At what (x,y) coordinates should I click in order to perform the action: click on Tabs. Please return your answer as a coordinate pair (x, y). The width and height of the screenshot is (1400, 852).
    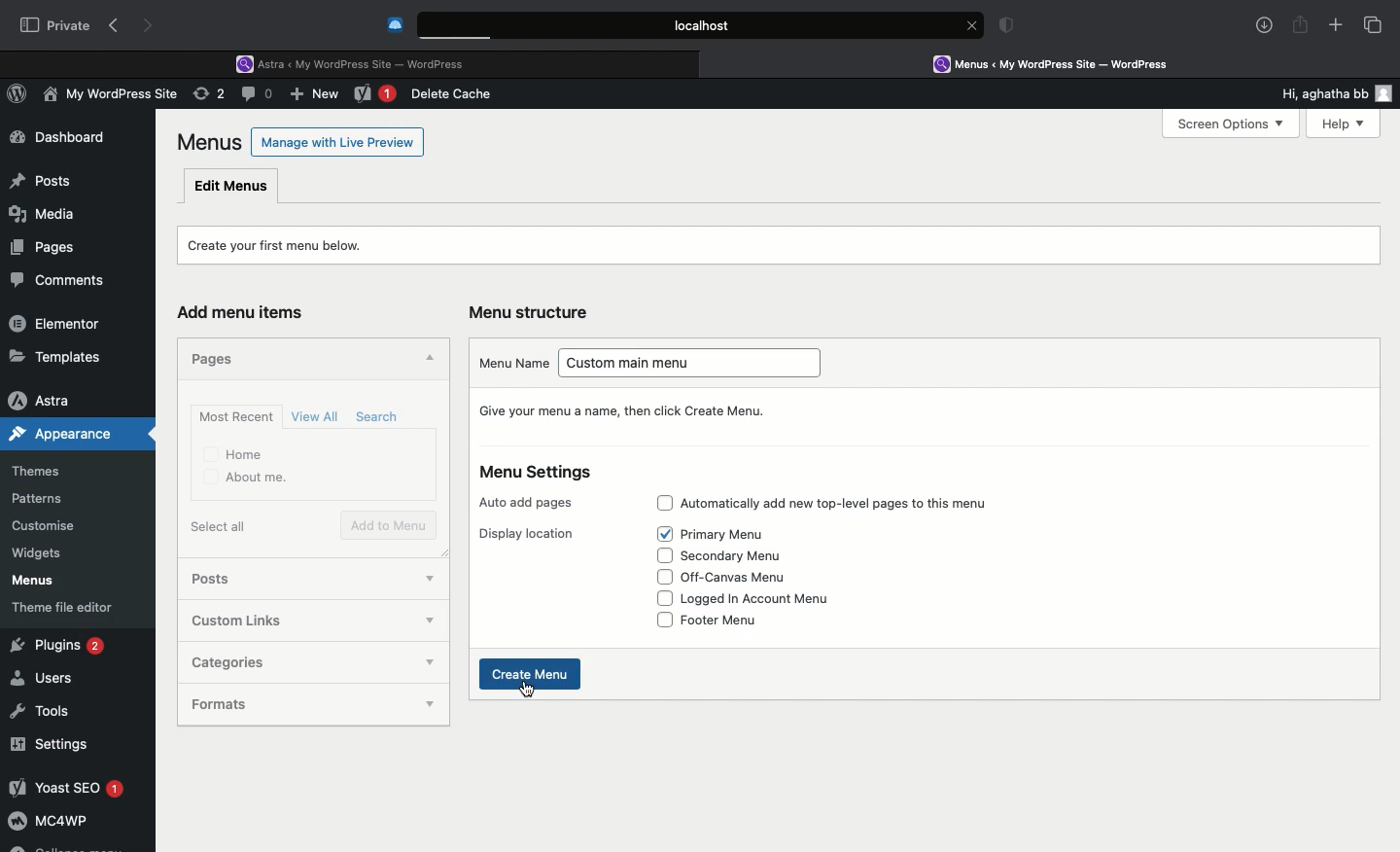
    Looking at the image, I should click on (1374, 24).